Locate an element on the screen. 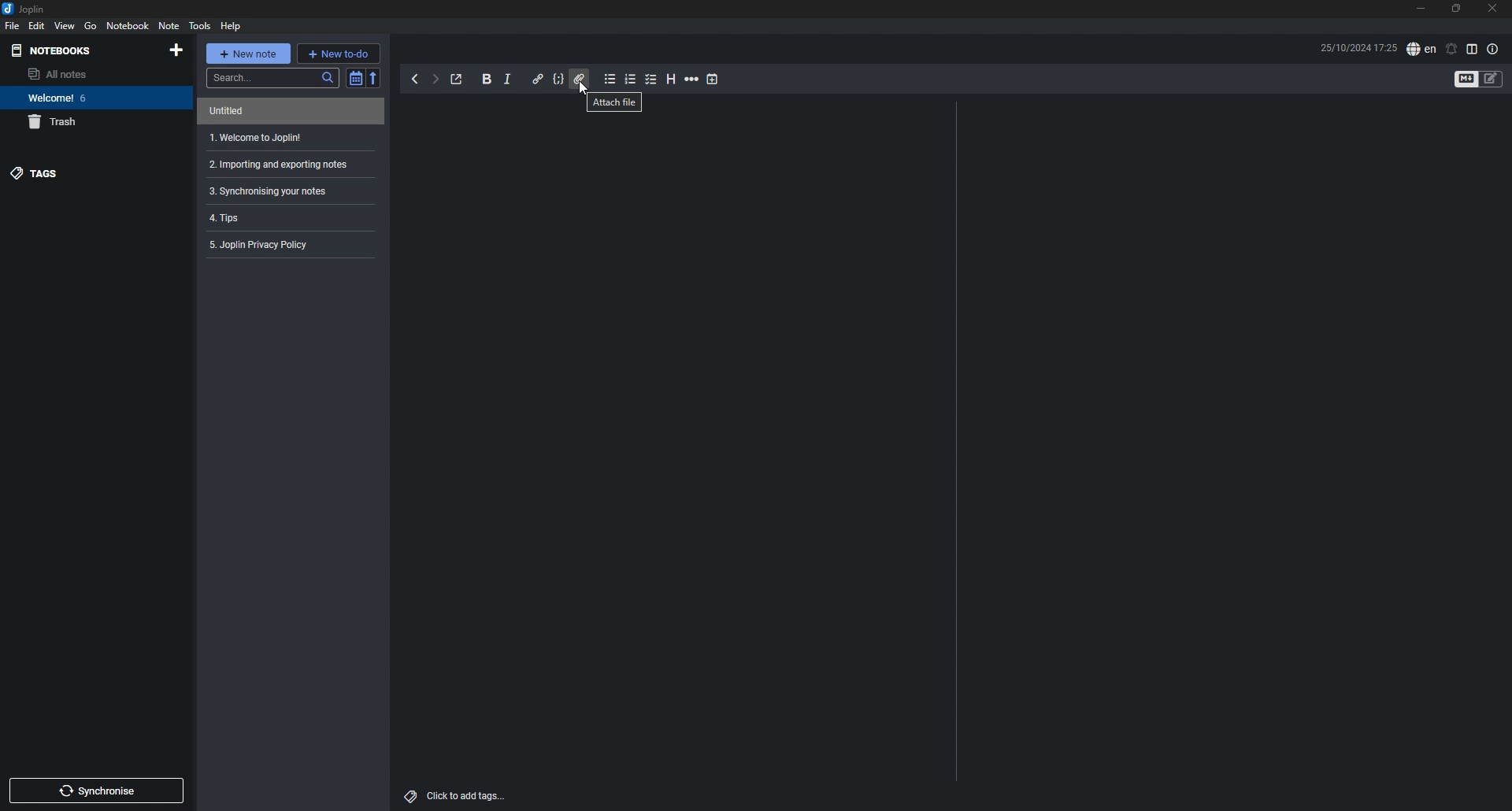 This screenshot has width=1512, height=811. toggle sort order field is located at coordinates (356, 77).